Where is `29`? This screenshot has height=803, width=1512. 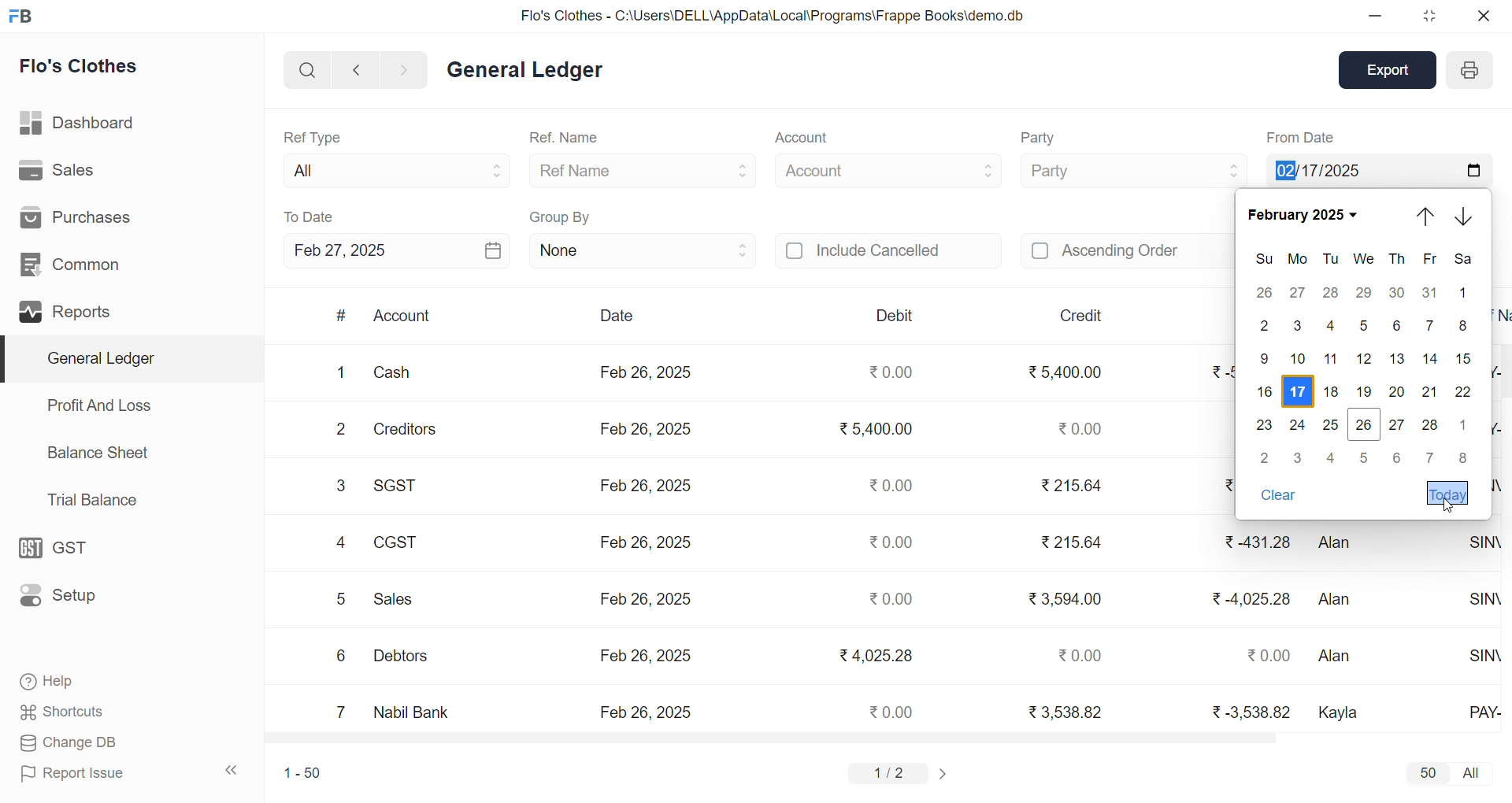
29 is located at coordinates (1366, 293).